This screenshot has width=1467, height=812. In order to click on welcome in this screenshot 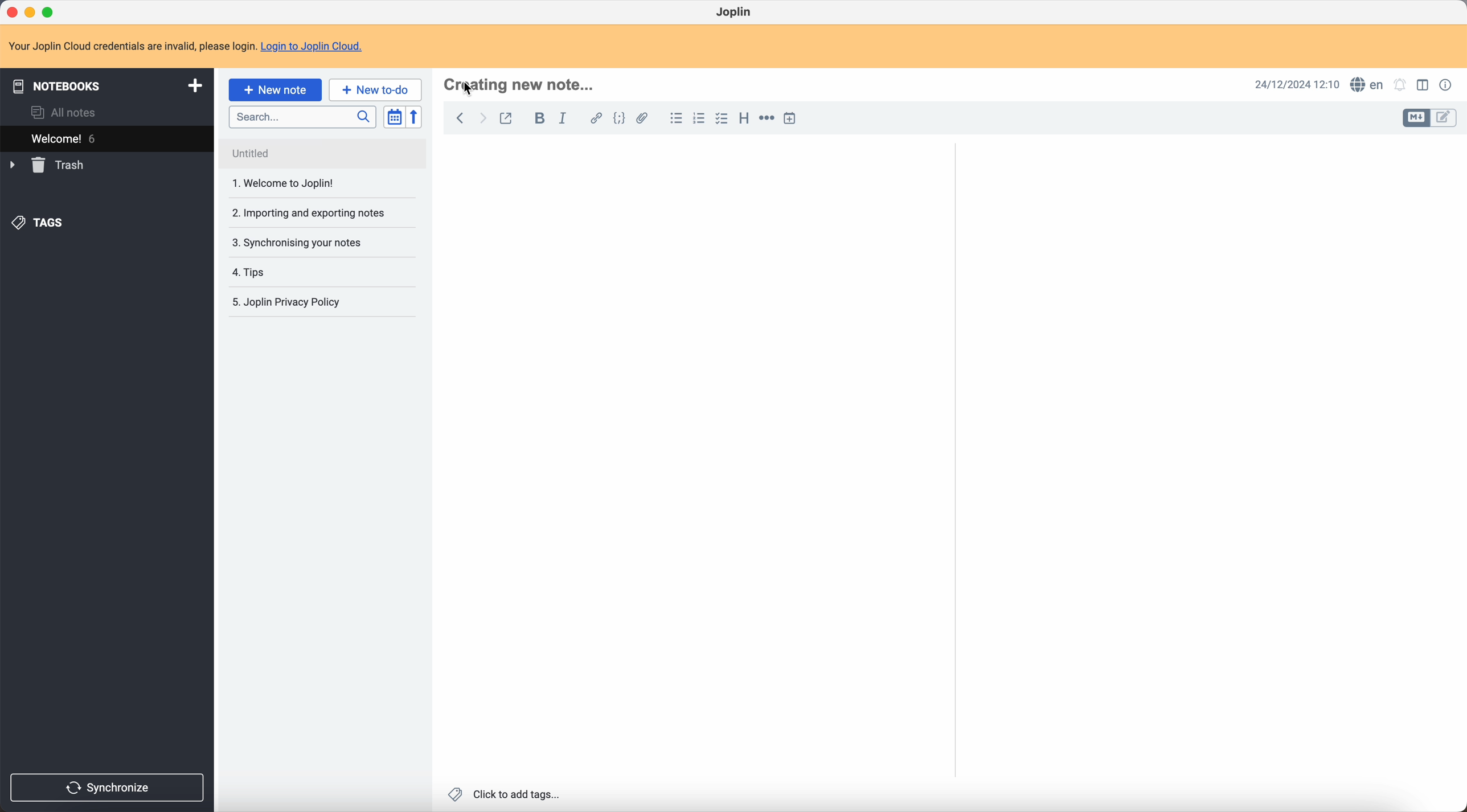, I will do `click(106, 137)`.